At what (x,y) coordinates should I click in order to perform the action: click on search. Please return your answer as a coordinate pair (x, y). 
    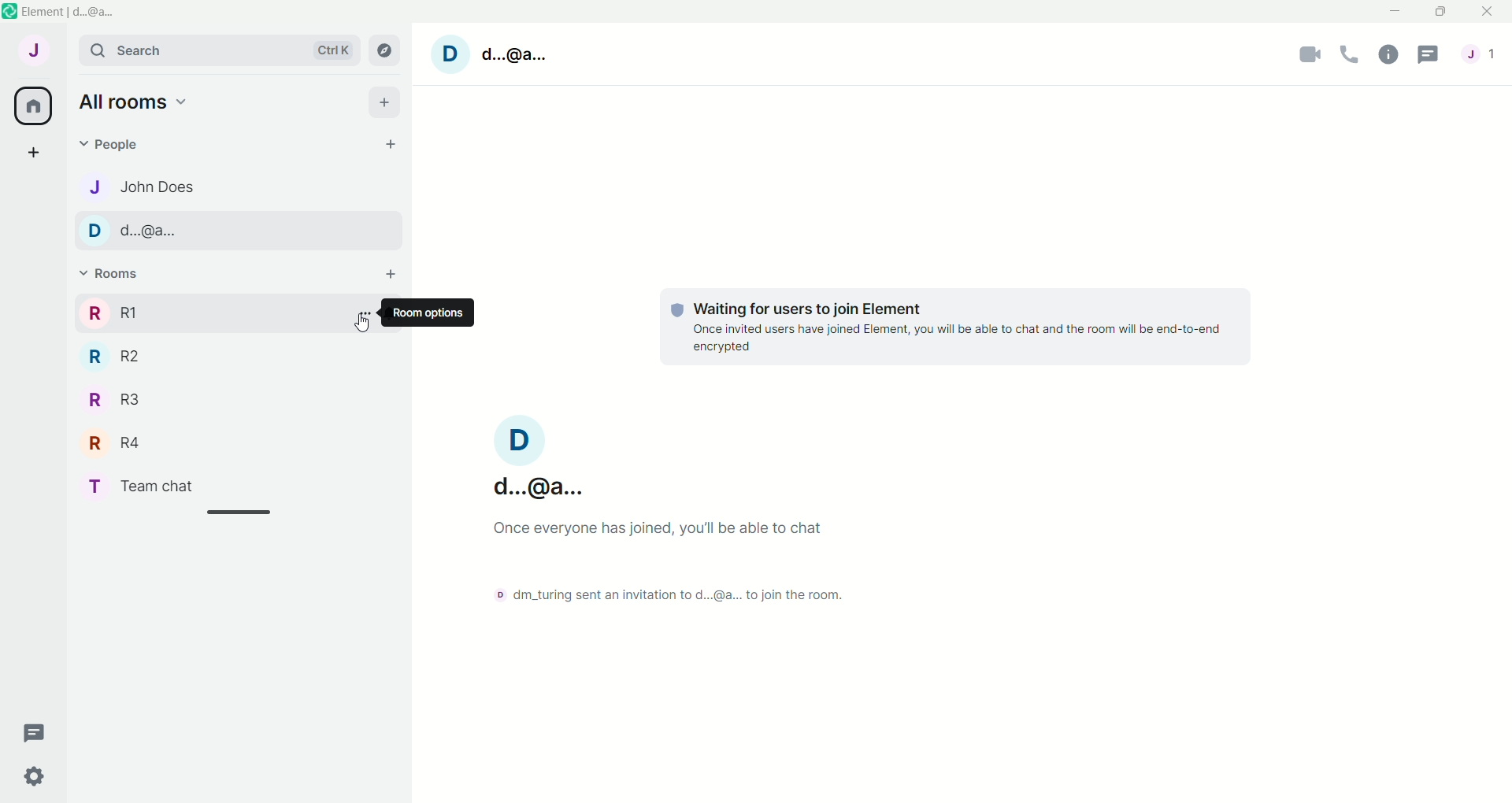
    Looking at the image, I should click on (219, 50).